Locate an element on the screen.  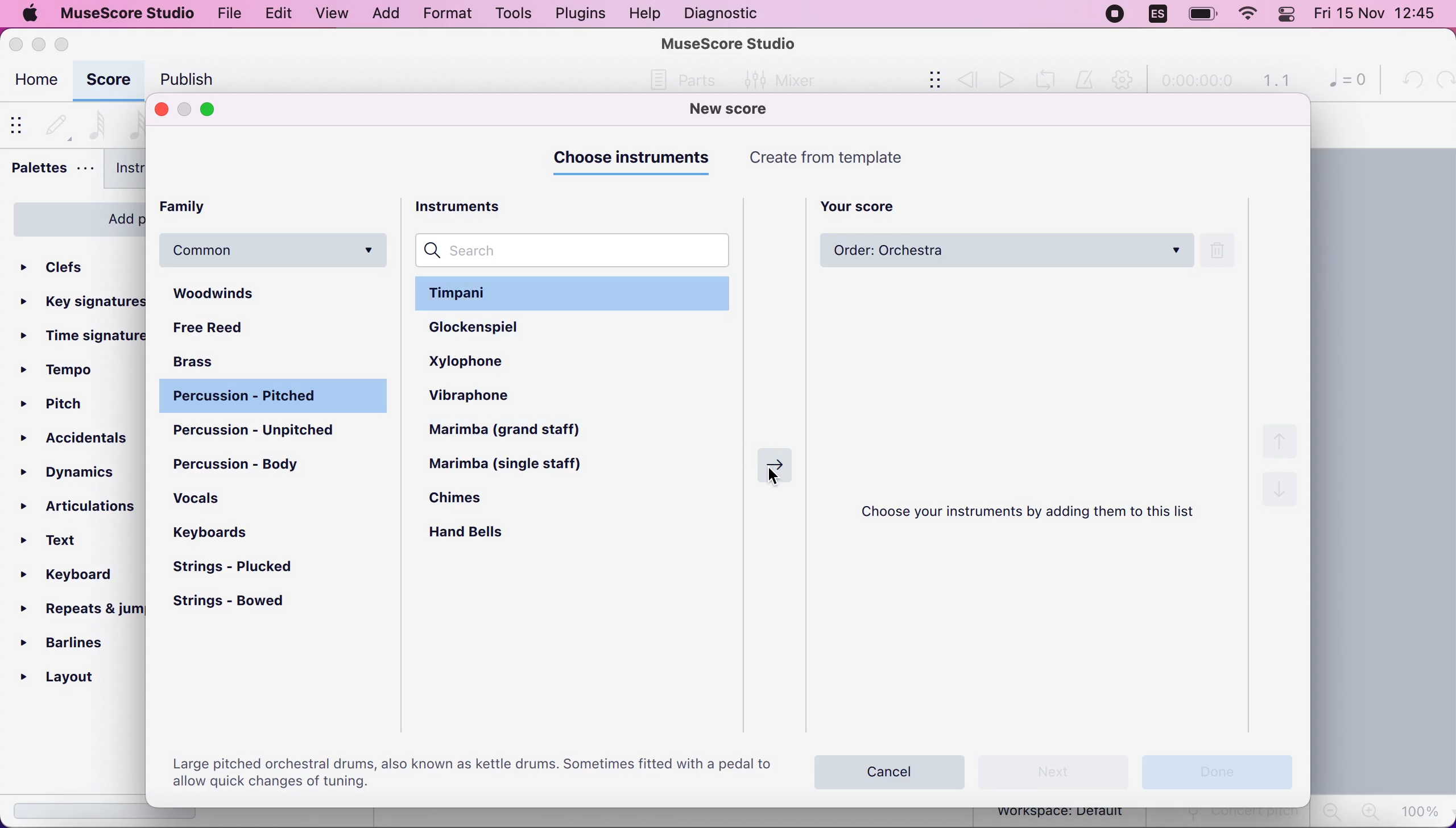
format is located at coordinates (443, 15).